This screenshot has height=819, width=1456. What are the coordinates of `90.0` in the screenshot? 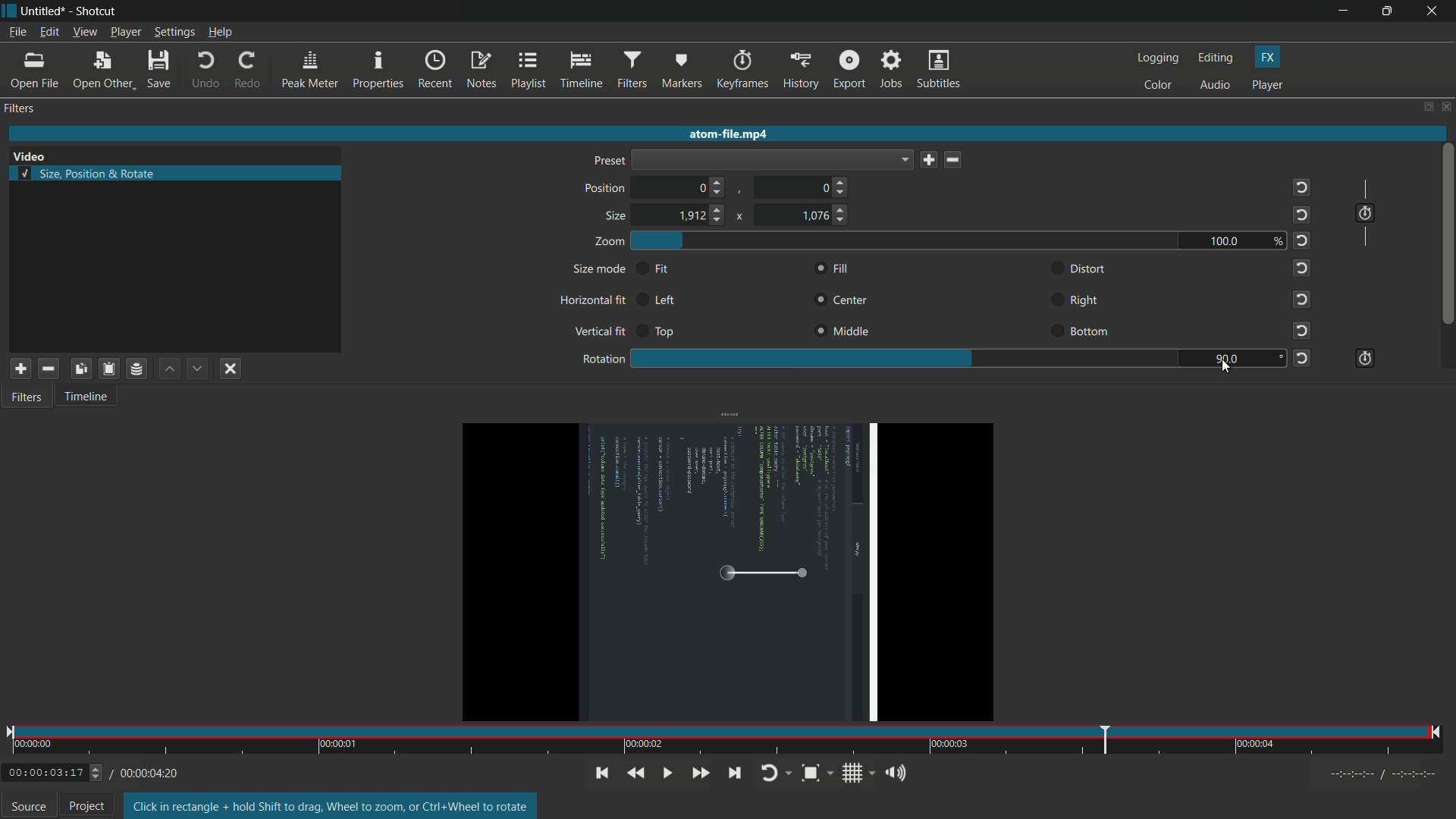 It's located at (1226, 359).